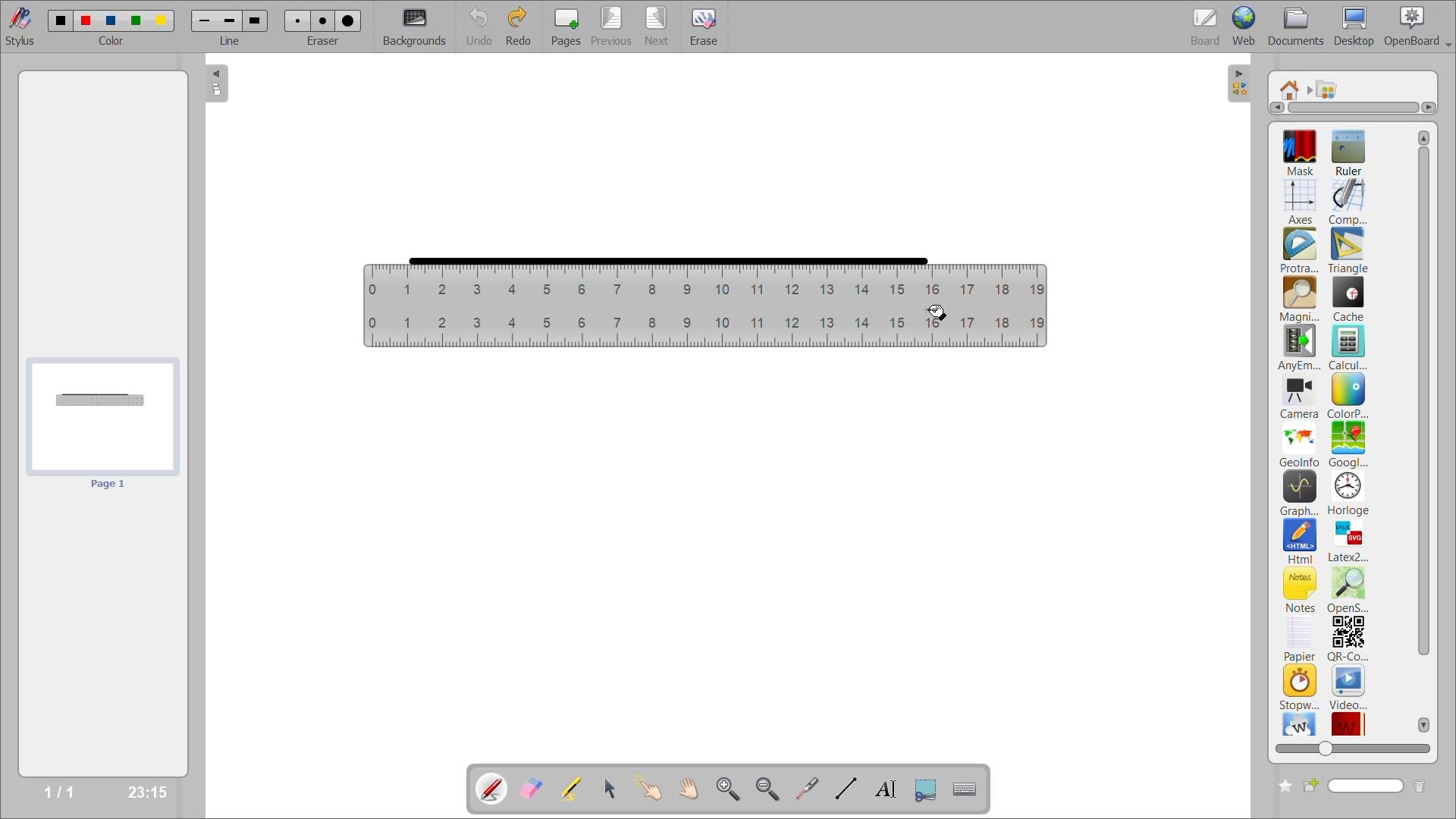 The height and width of the screenshot is (819, 1456). I want to click on delete, so click(1420, 786).